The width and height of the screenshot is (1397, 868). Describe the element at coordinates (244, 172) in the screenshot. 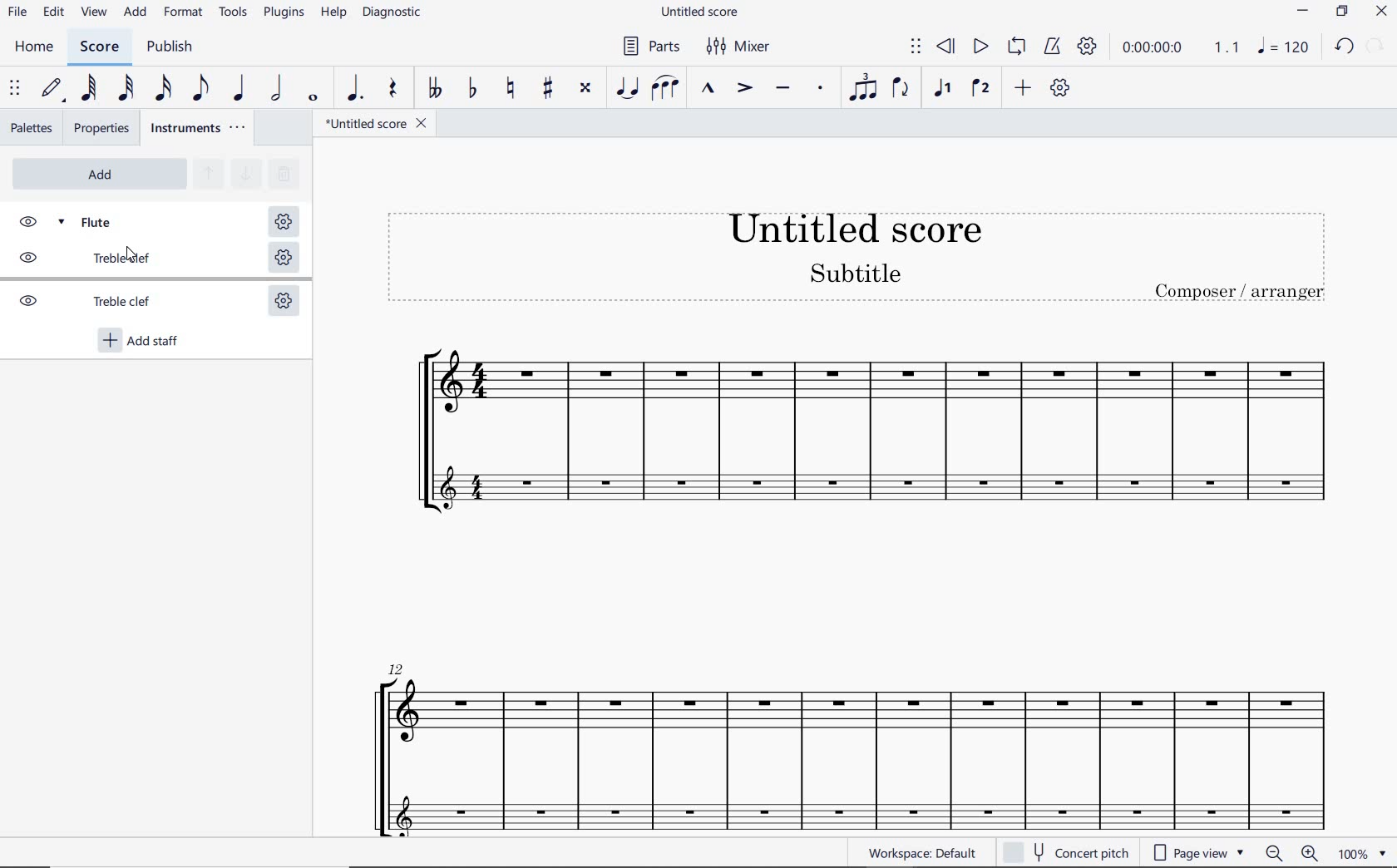

I see `MOVE SELECTED INSTRUMENT DOWN` at that location.